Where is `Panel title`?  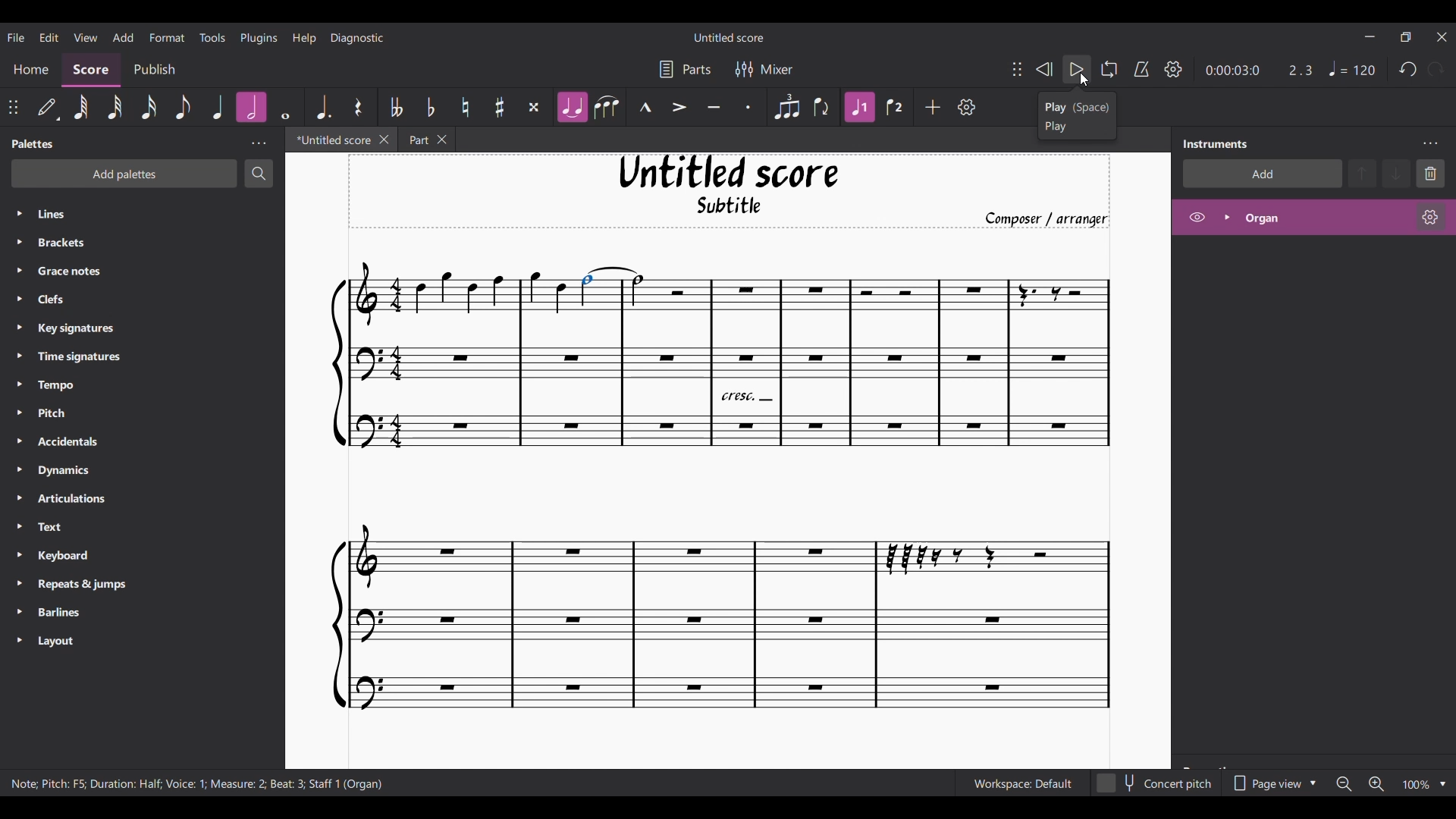 Panel title is located at coordinates (1216, 144).